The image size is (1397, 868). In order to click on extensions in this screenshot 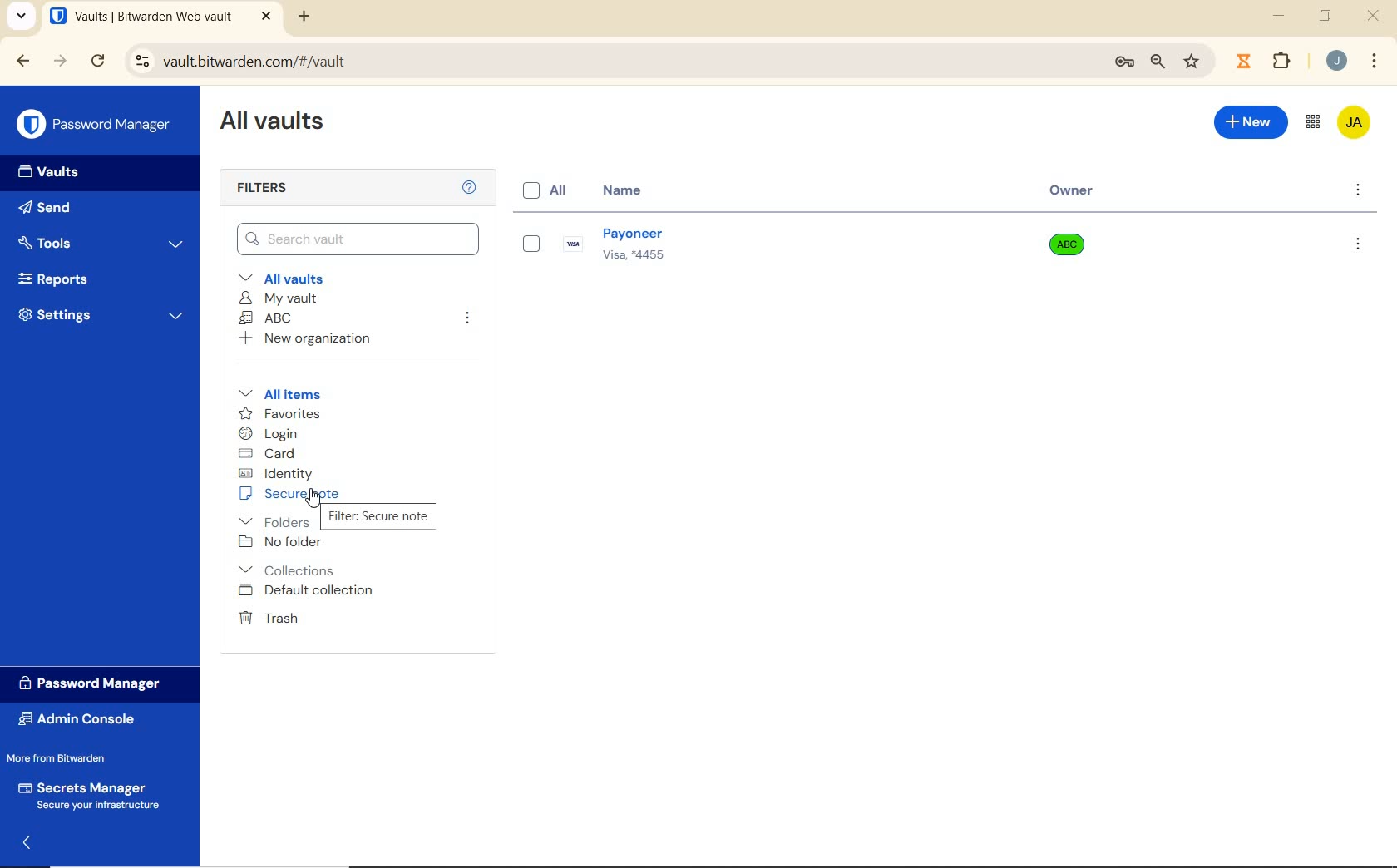, I will do `click(1242, 62)`.